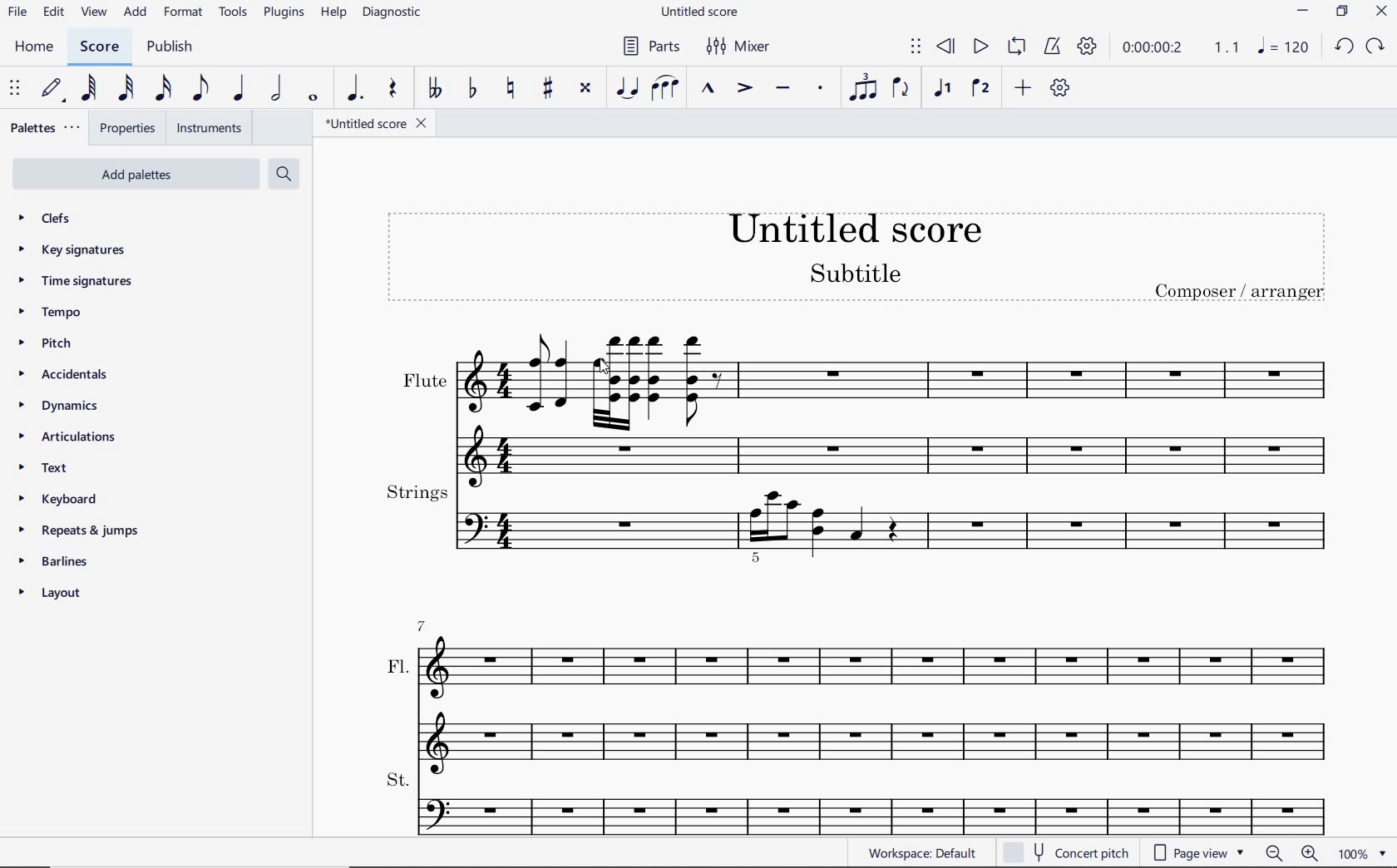 The width and height of the screenshot is (1397, 868). What do you see at coordinates (707, 91) in the screenshot?
I see `MARCATO` at bounding box center [707, 91].